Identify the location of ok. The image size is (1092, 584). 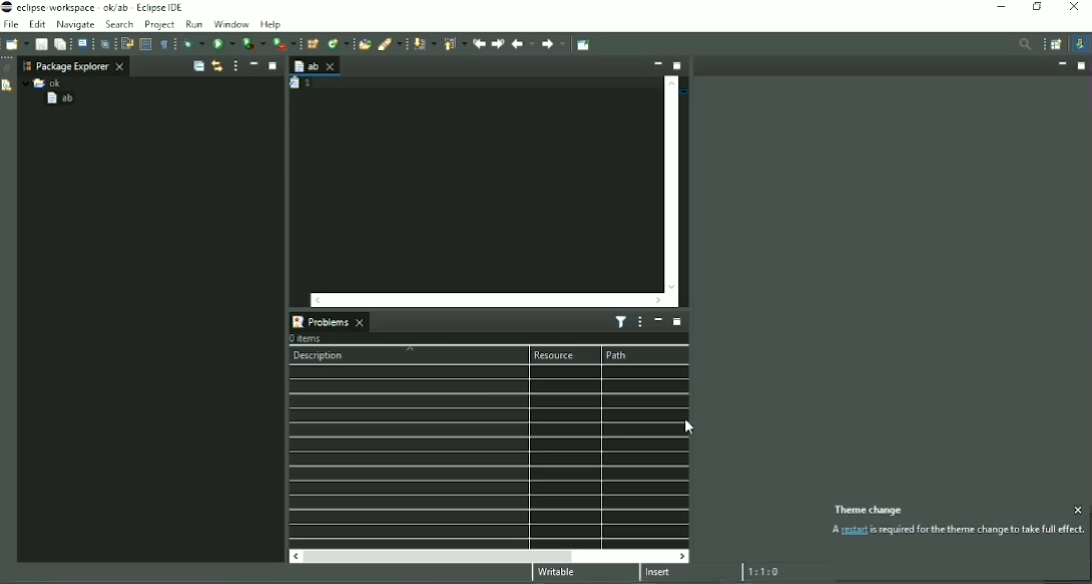
(47, 83).